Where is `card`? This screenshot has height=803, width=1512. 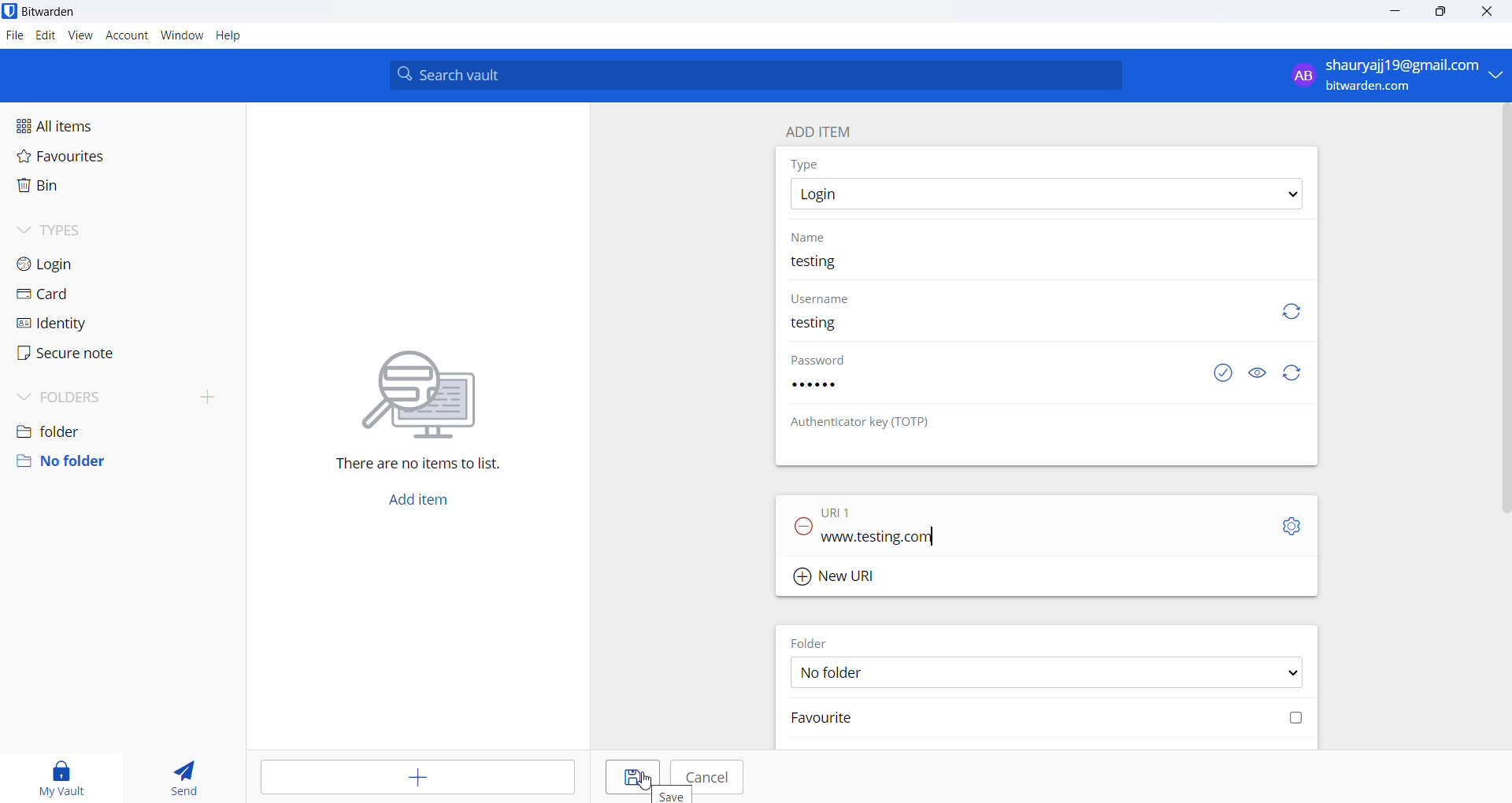
card is located at coordinates (82, 294).